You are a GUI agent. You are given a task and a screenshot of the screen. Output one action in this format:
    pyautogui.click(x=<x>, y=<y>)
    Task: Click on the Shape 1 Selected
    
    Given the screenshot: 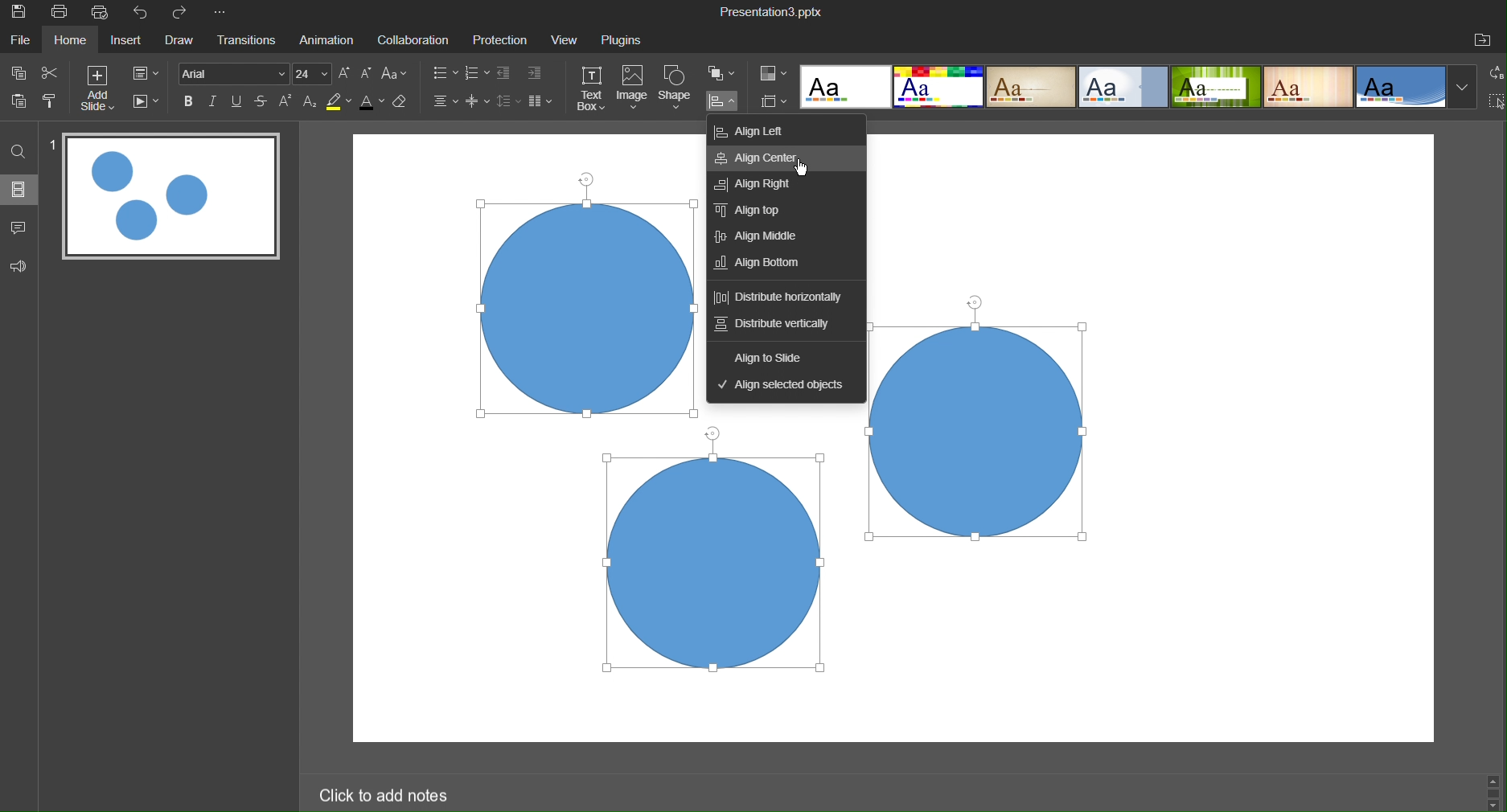 What is the action you would take?
    pyautogui.click(x=588, y=308)
    